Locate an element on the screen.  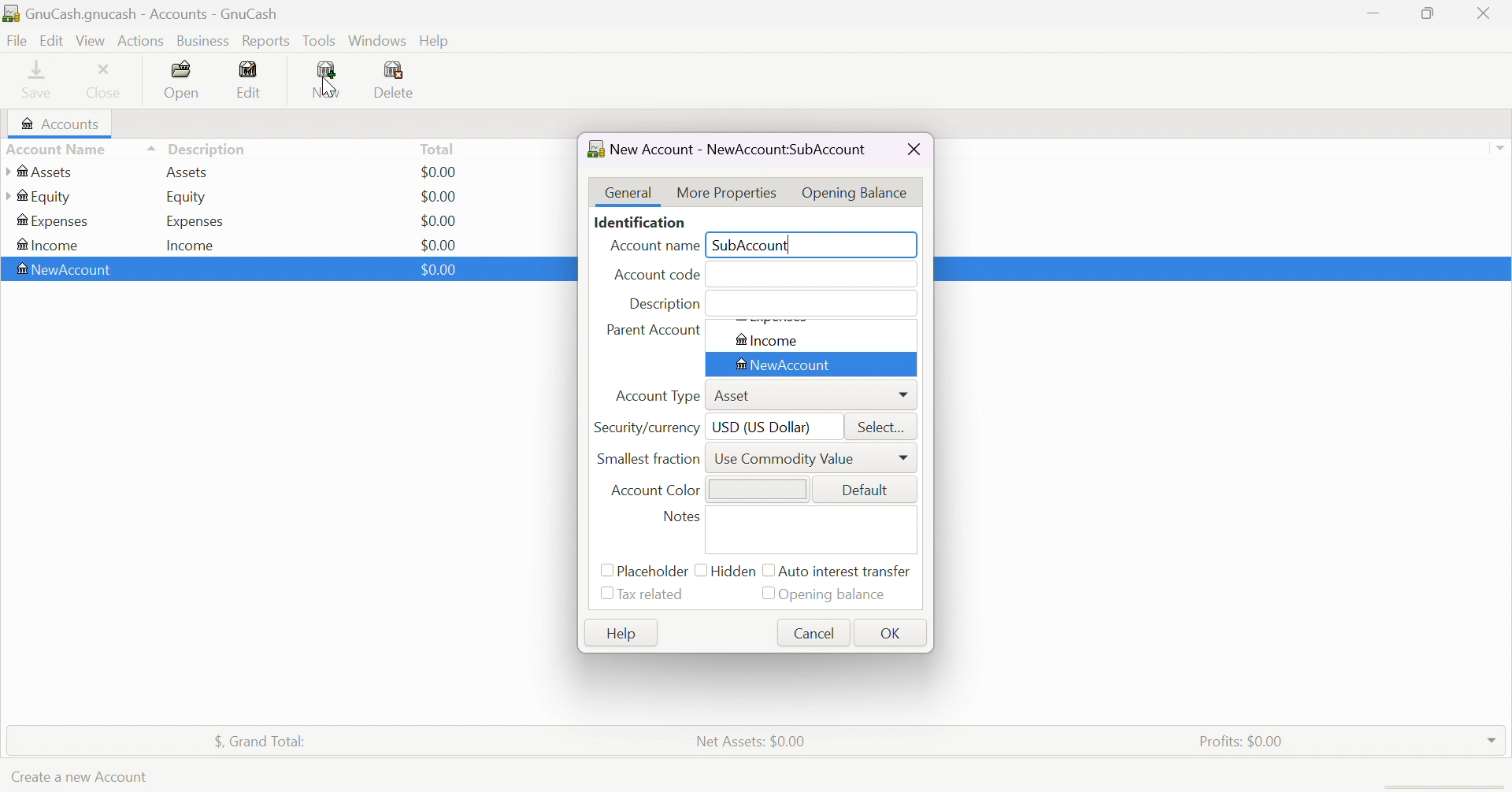
Select... is located at coordinates (885, 428).